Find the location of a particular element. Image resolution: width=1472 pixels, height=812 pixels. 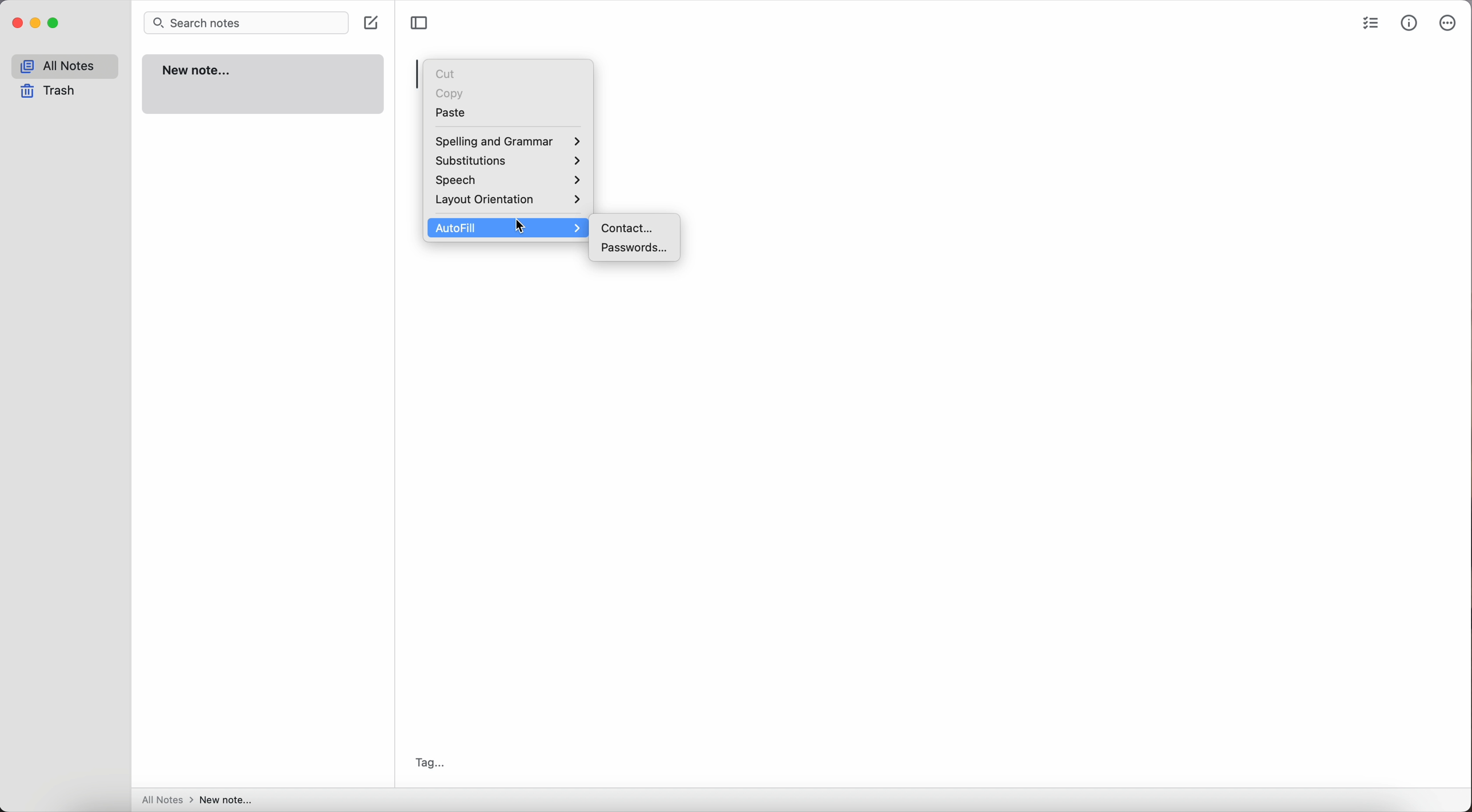

copy is located at coordinates (451, 91).